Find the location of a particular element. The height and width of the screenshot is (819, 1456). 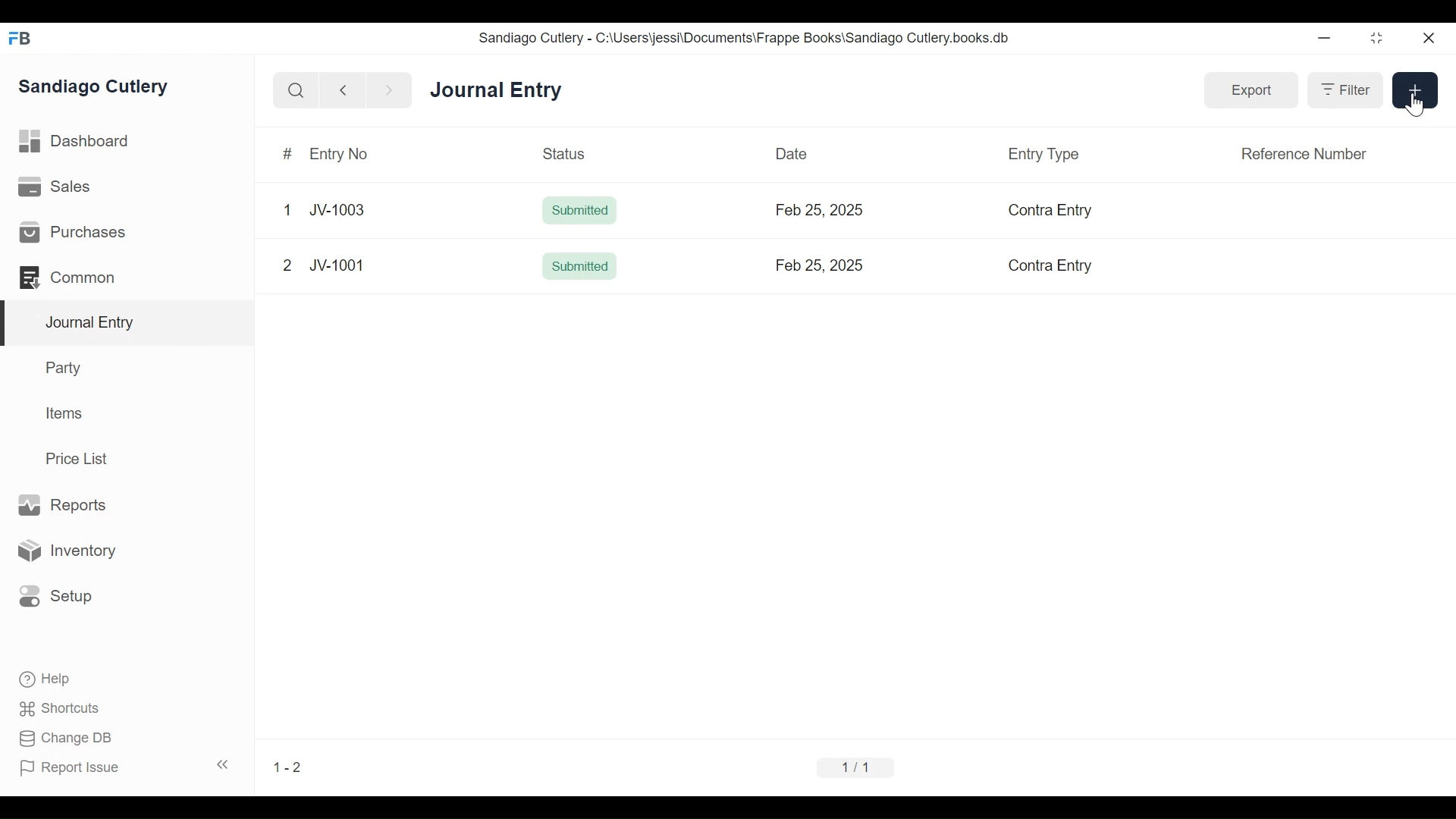

Price List is located at coordinates (80, 458).